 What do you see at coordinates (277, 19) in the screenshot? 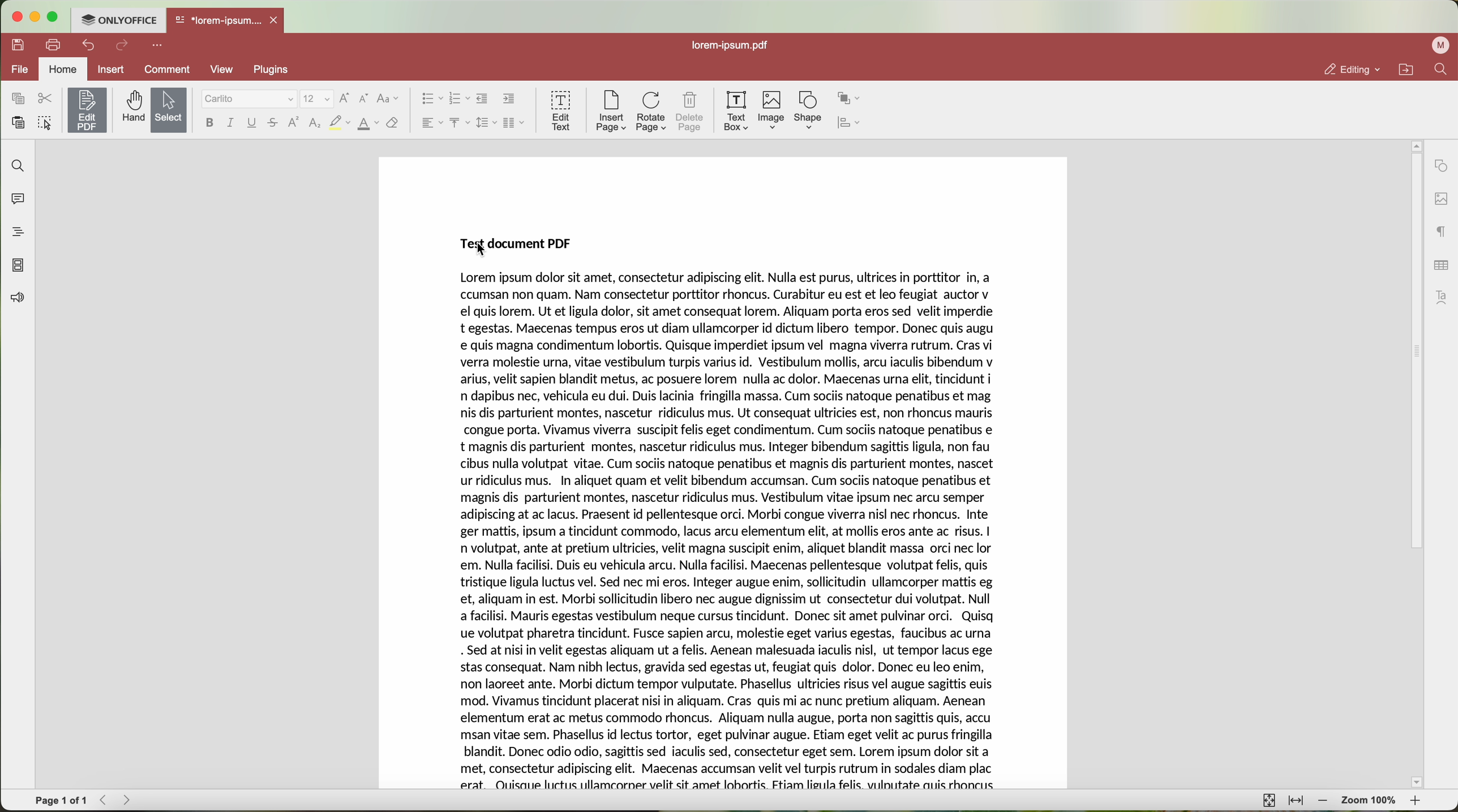
I see `close` at bounding box center [277, 19].